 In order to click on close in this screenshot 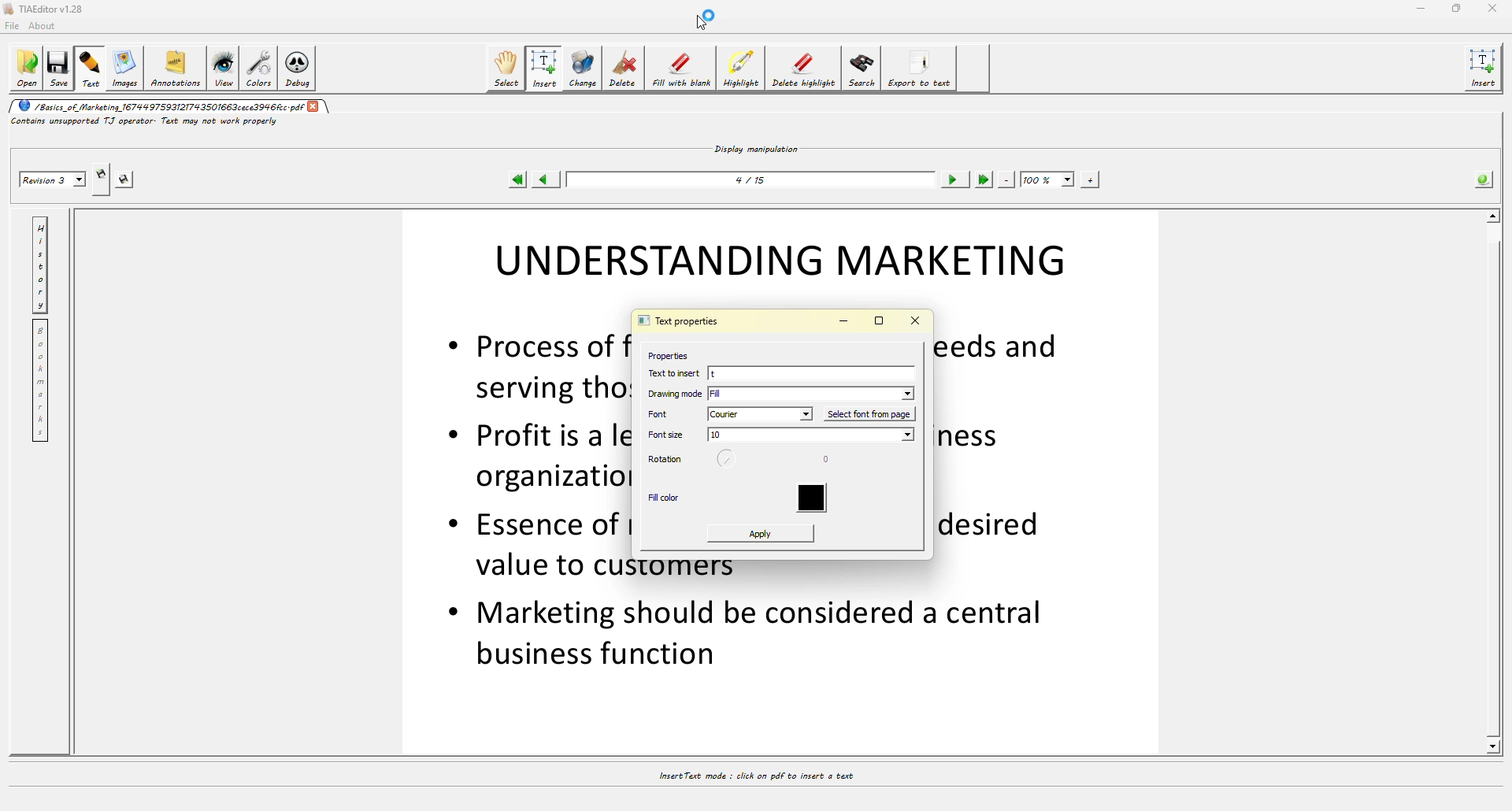, I will do `click(917, 320)`.